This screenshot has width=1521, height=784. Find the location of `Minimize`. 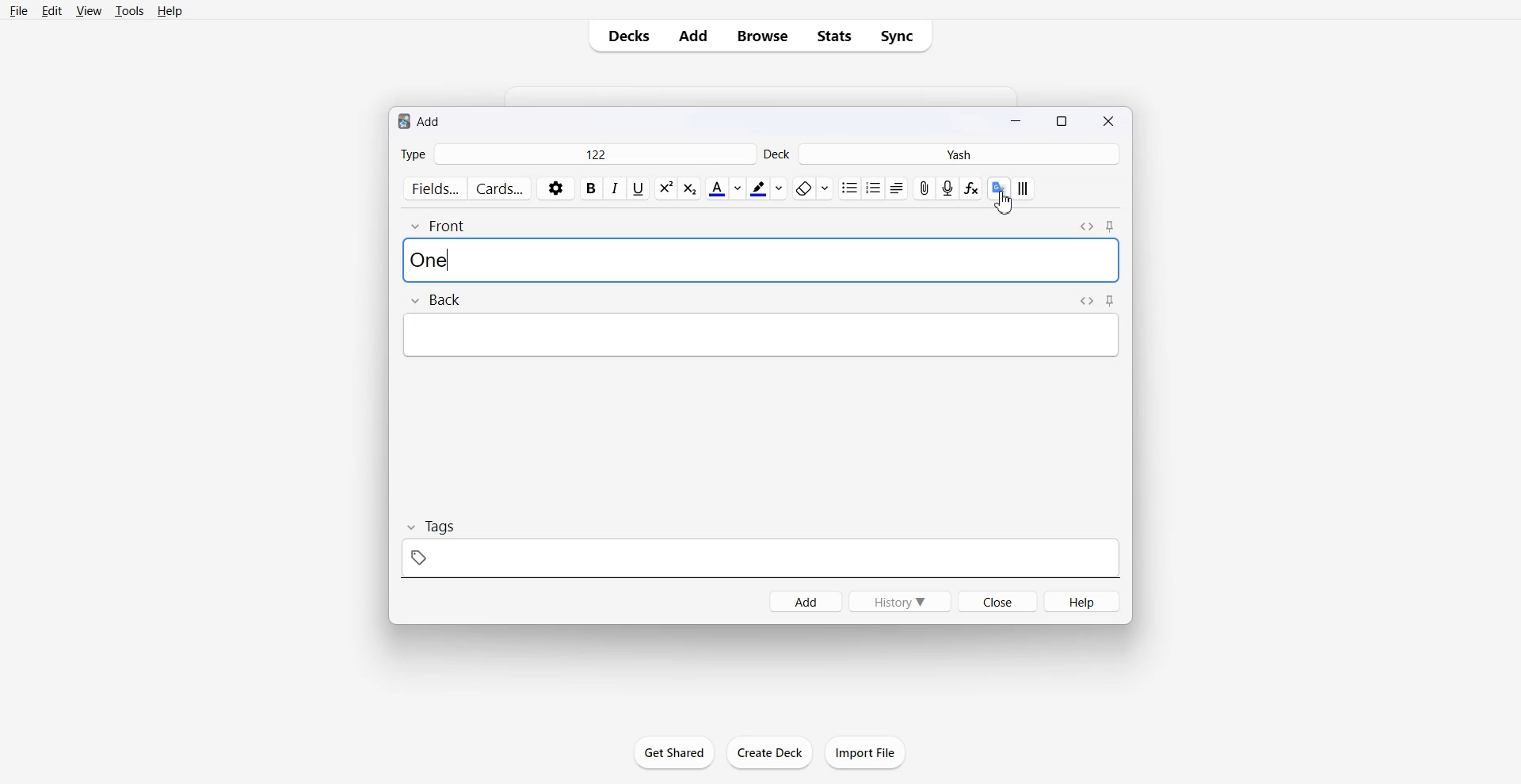

Minimize is located at coordinates (1018, 120).